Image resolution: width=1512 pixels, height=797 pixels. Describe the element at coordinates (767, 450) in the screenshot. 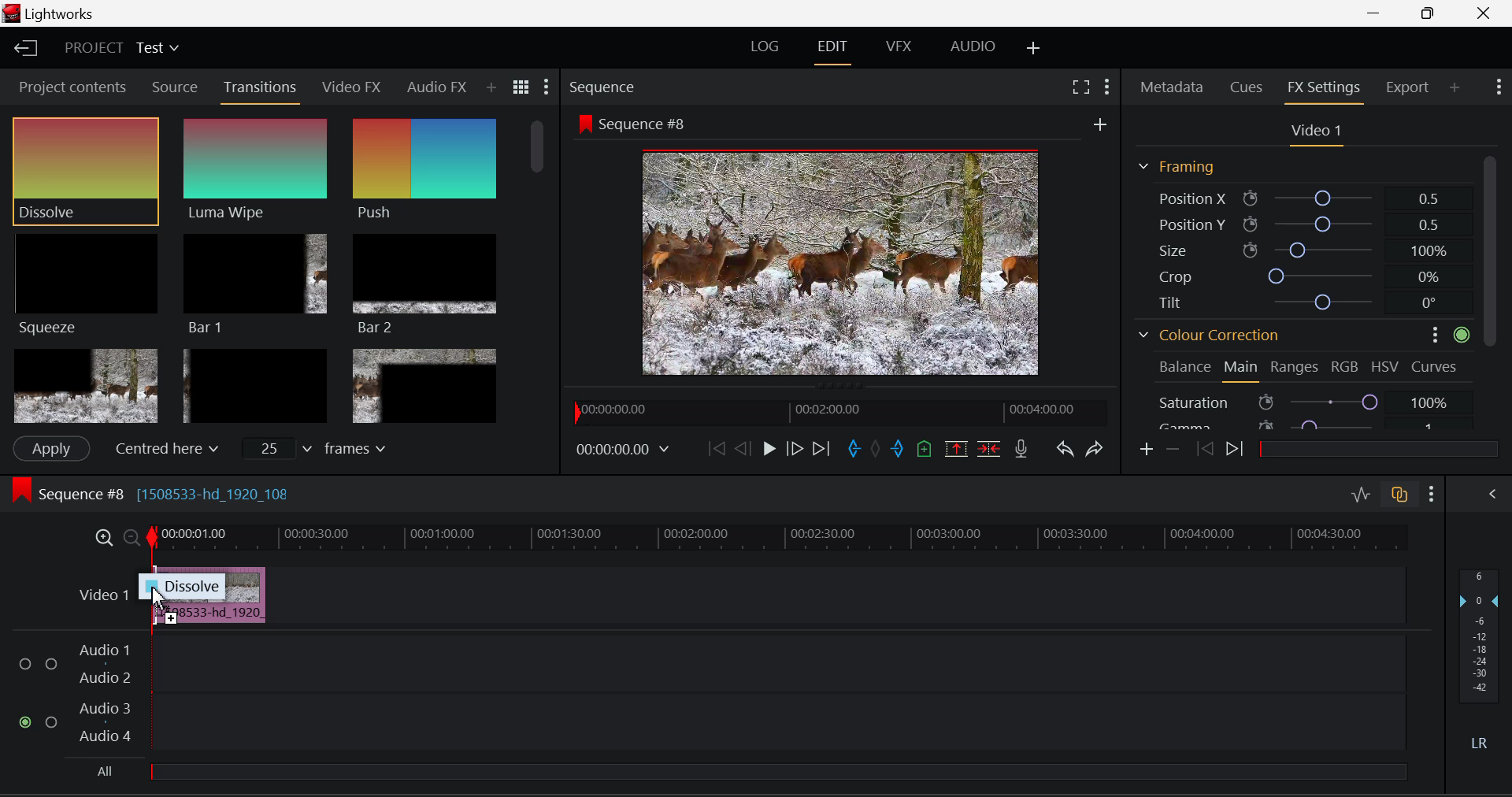

I see `Play` at that location.